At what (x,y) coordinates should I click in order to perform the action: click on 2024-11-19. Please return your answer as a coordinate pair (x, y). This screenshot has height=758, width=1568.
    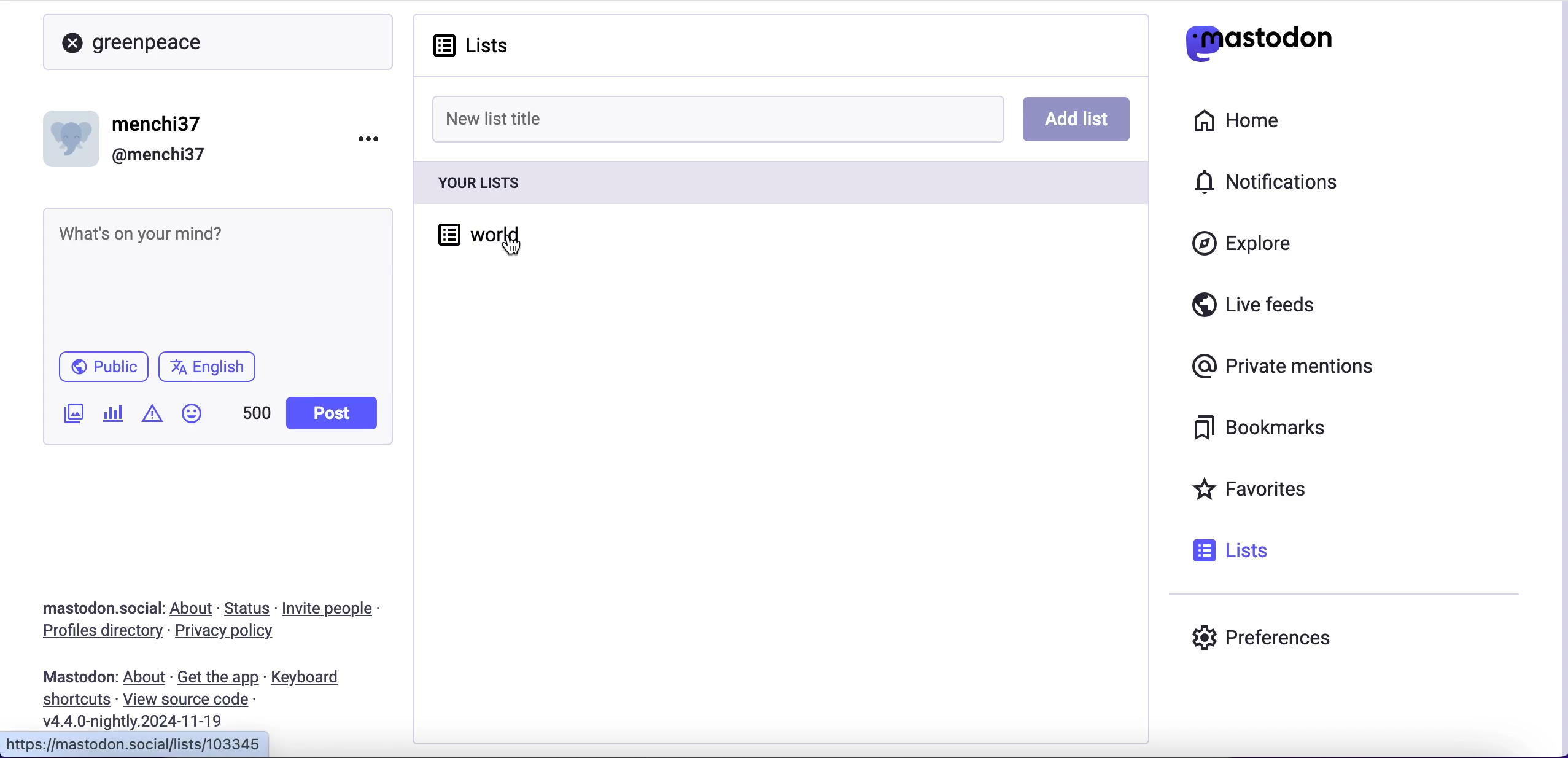
    Looking at the image, I should click on (142, 721).